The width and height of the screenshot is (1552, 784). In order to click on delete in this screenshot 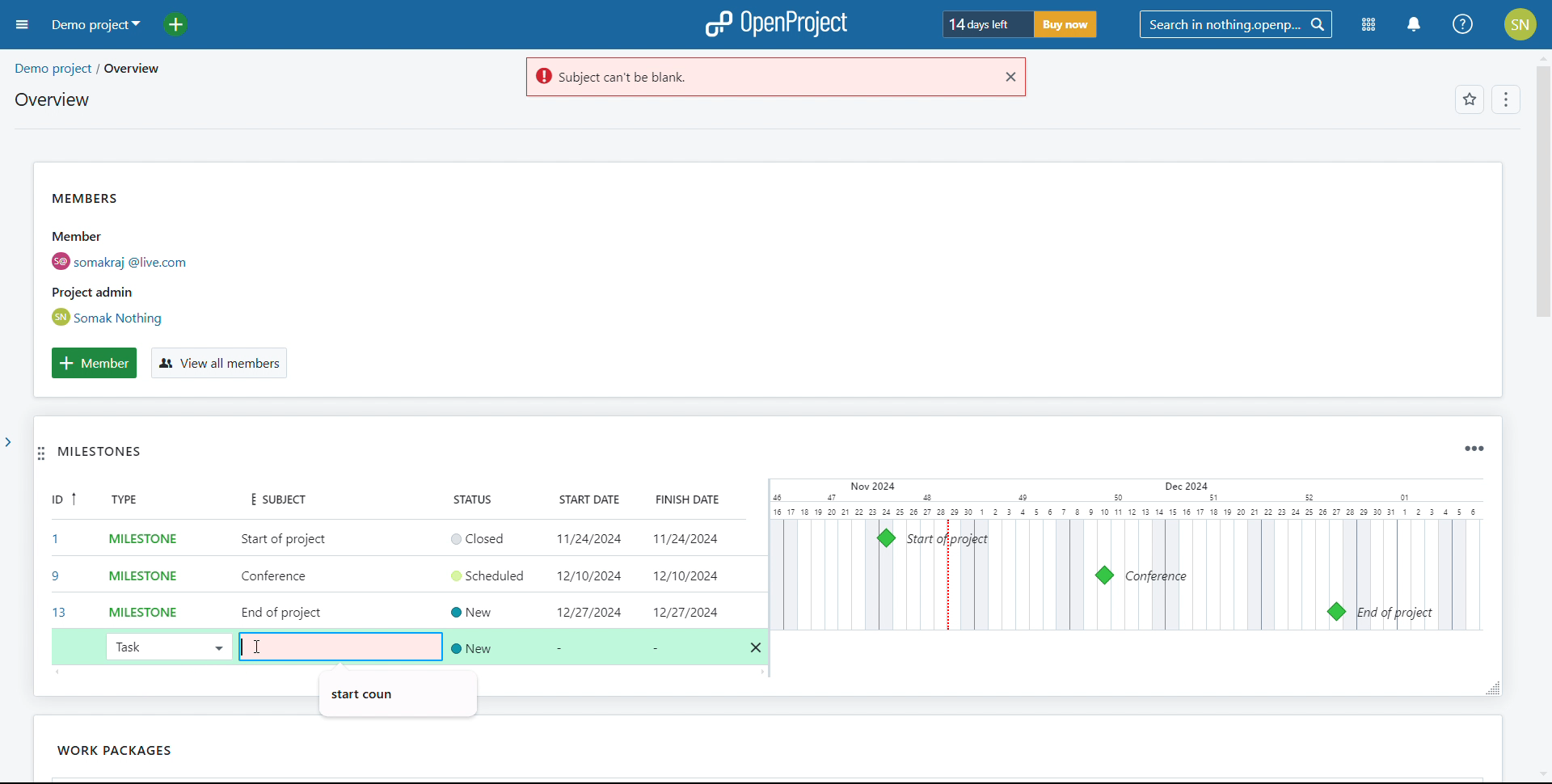, I will do `click(757, 648)`.